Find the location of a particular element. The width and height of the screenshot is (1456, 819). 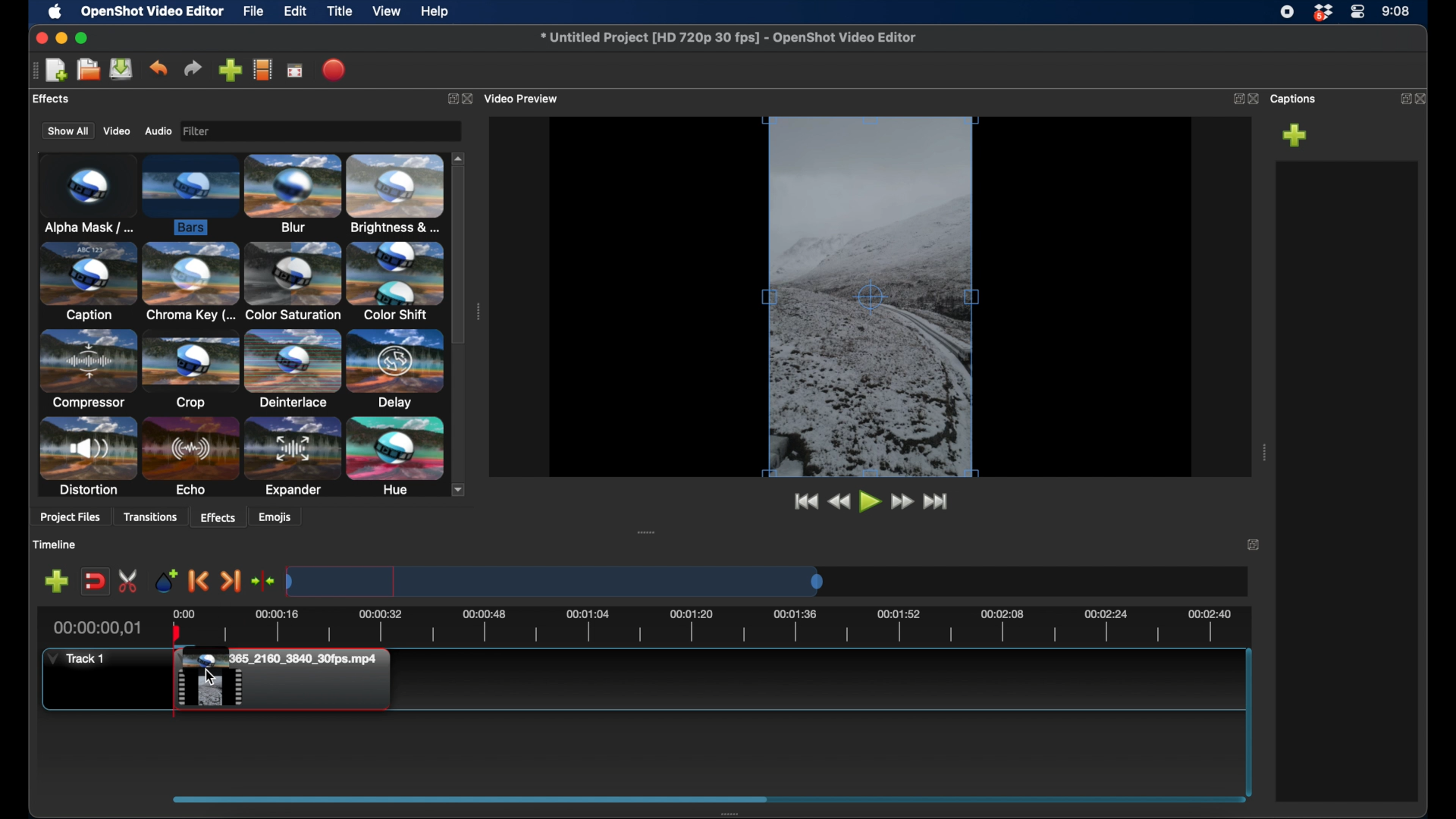

effects is located at coordinates (218, 516).